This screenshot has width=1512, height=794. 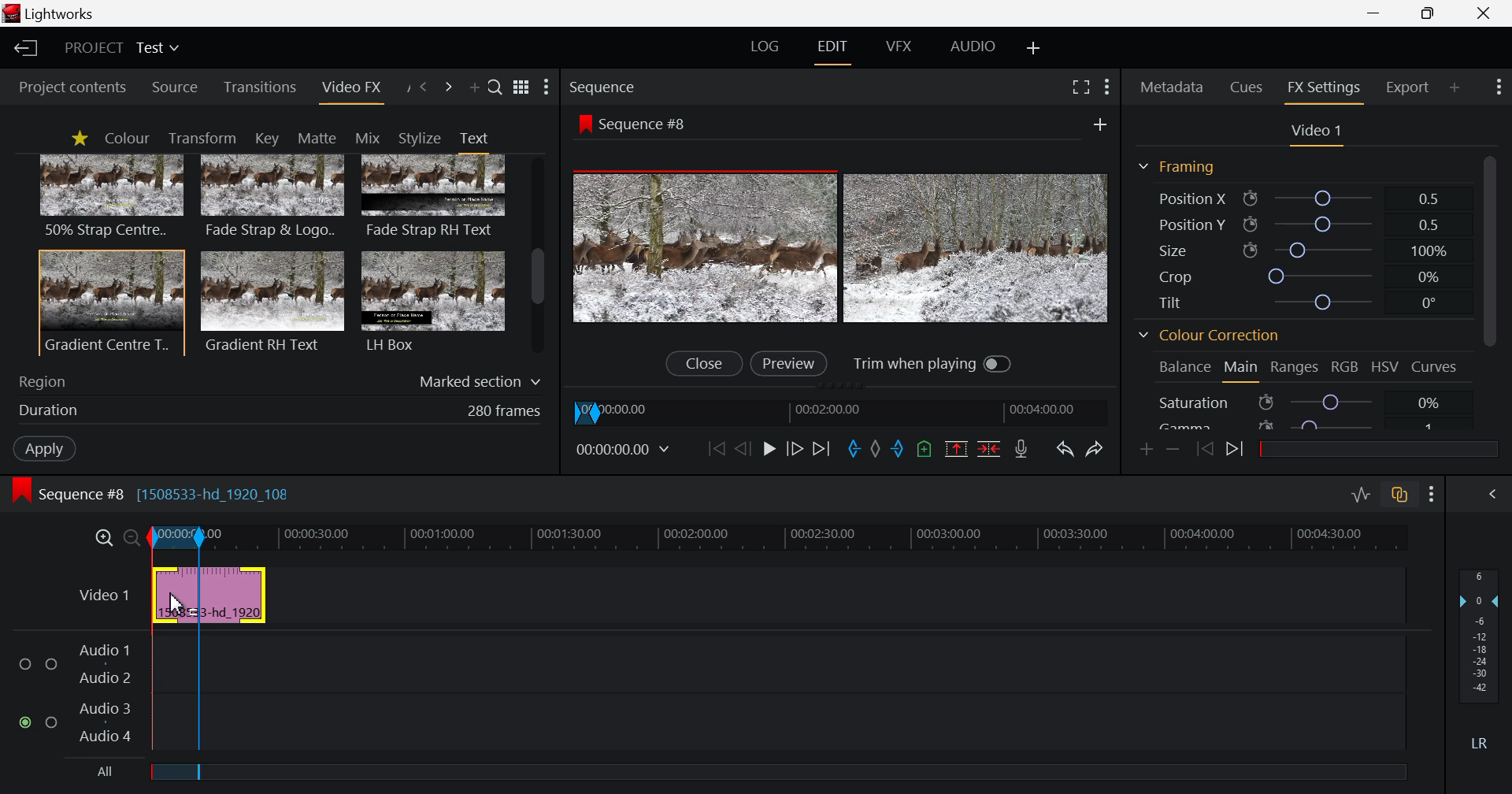 I want to click on Toggle between list and title views, so click(x=523, y=87).